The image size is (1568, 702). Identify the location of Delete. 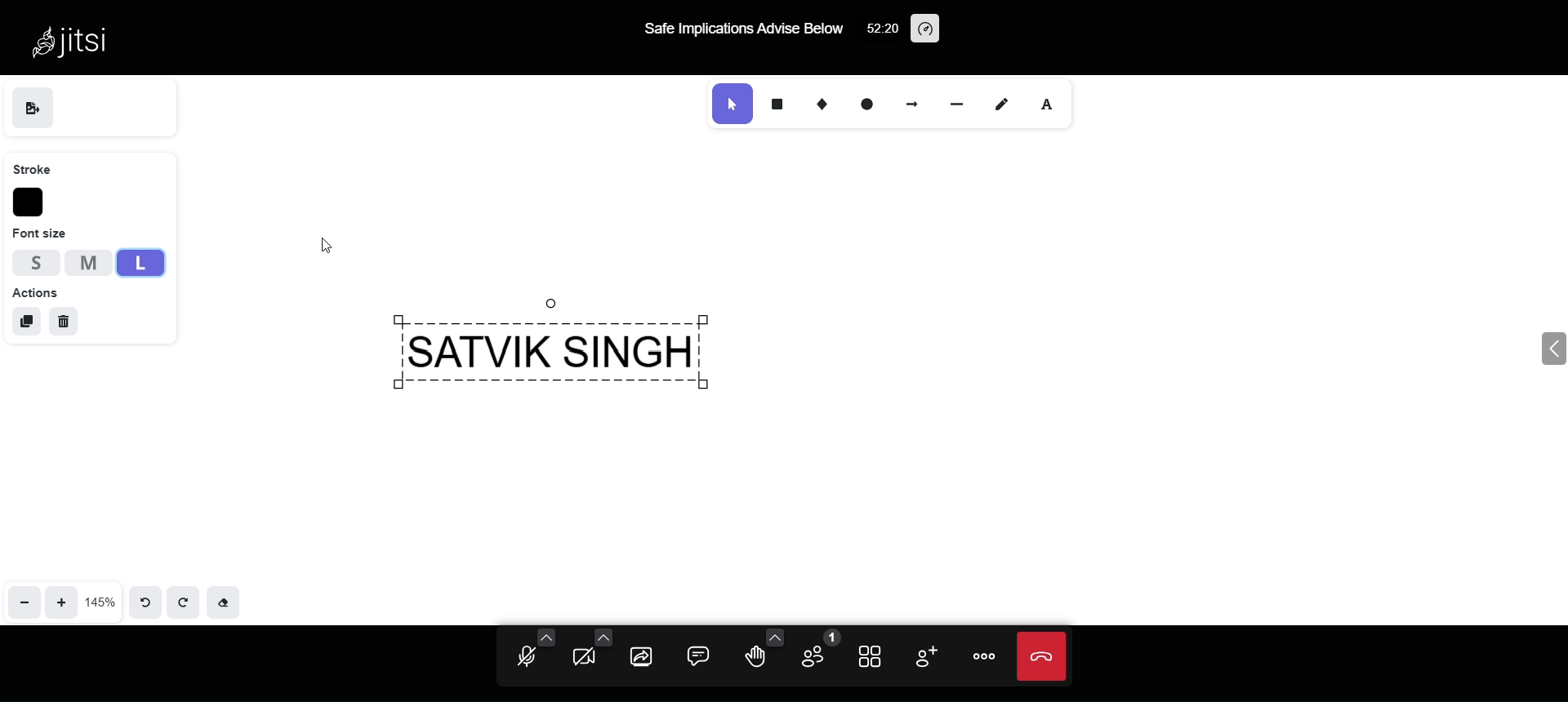
(67, 322).